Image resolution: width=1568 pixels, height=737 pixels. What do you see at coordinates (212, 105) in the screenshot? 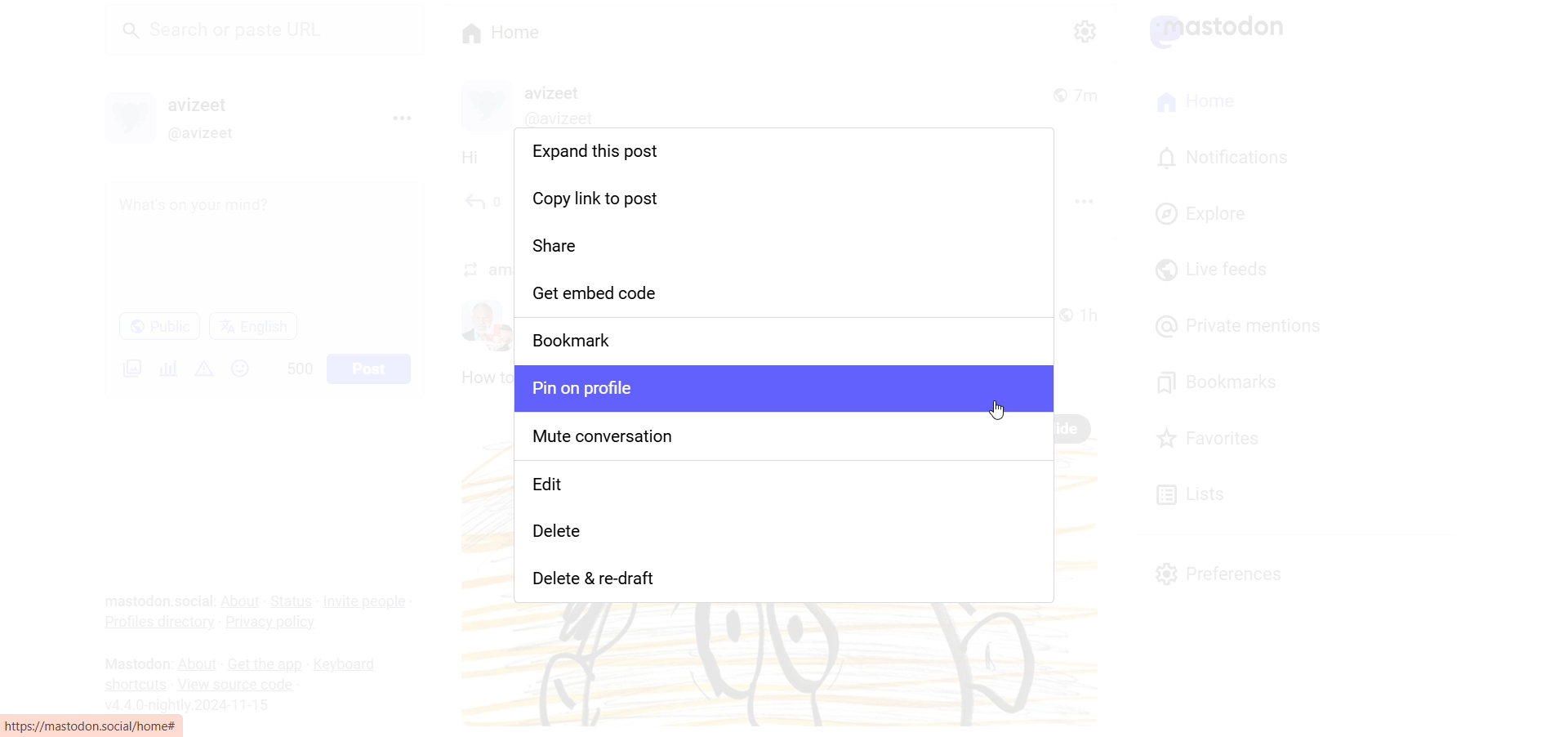
I see `User` at bounding box center [212, 105].